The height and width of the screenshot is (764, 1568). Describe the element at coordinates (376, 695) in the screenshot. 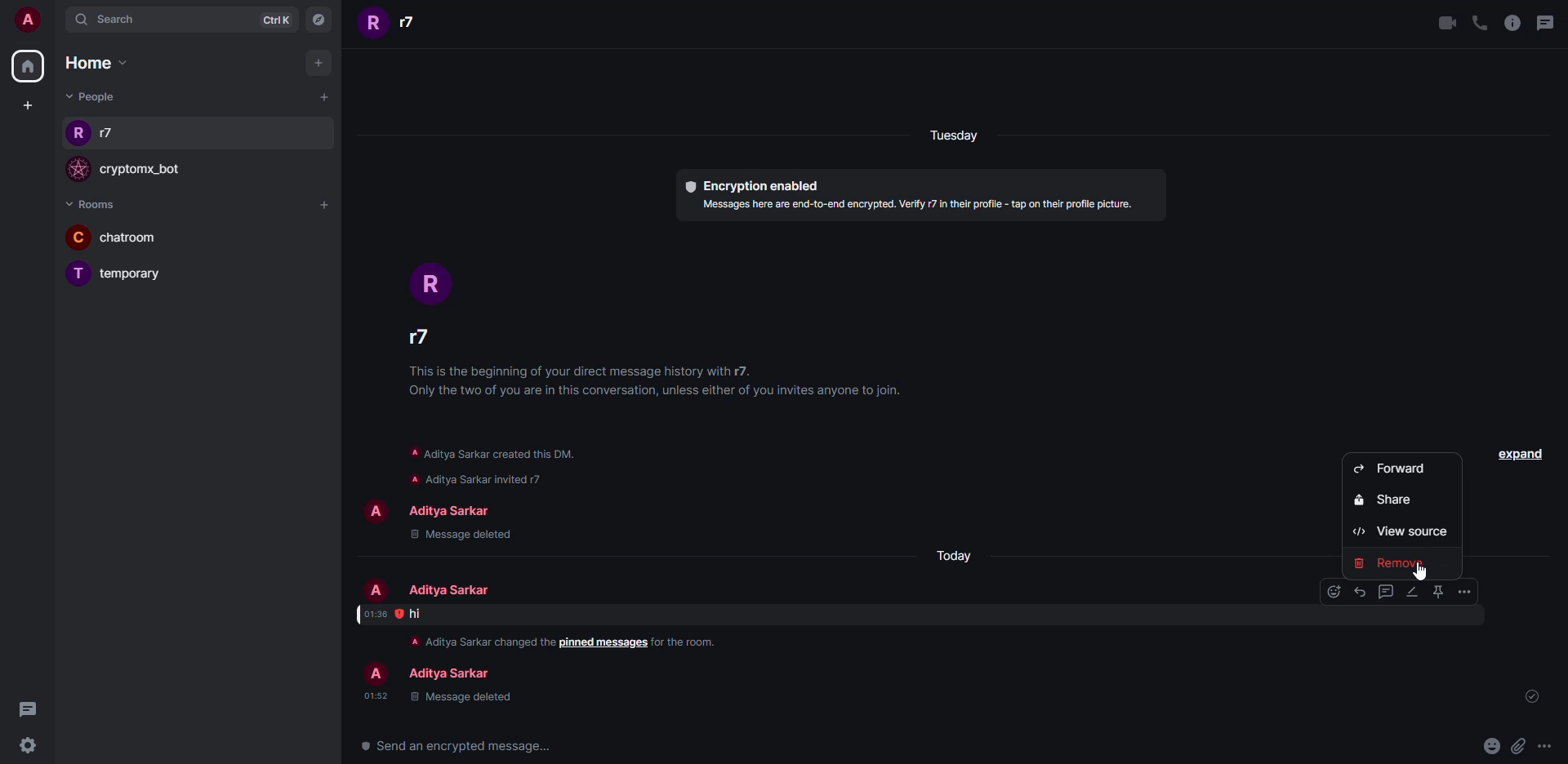

I see `time` at that location.